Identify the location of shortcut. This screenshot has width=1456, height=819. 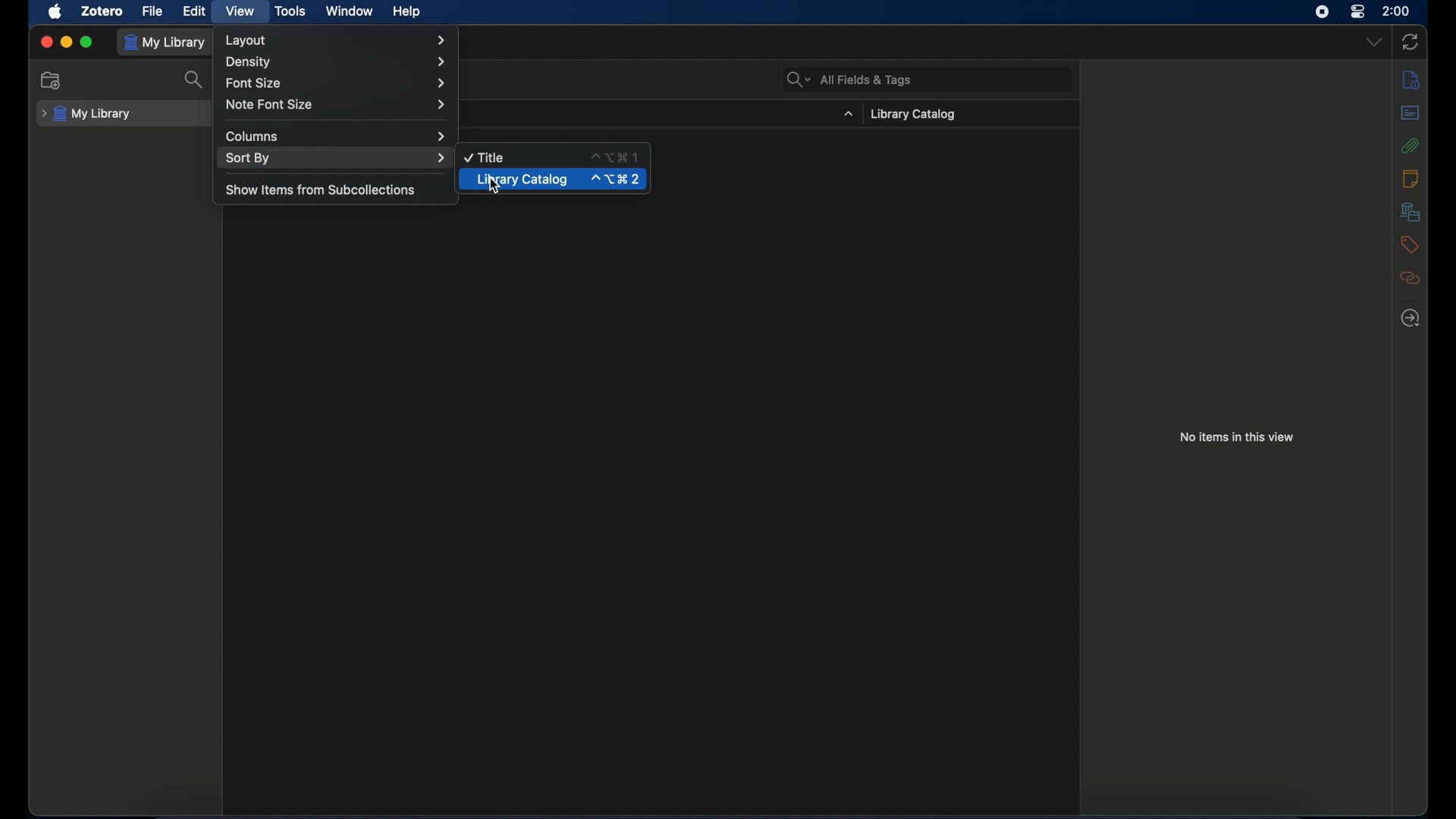
(616, 179).